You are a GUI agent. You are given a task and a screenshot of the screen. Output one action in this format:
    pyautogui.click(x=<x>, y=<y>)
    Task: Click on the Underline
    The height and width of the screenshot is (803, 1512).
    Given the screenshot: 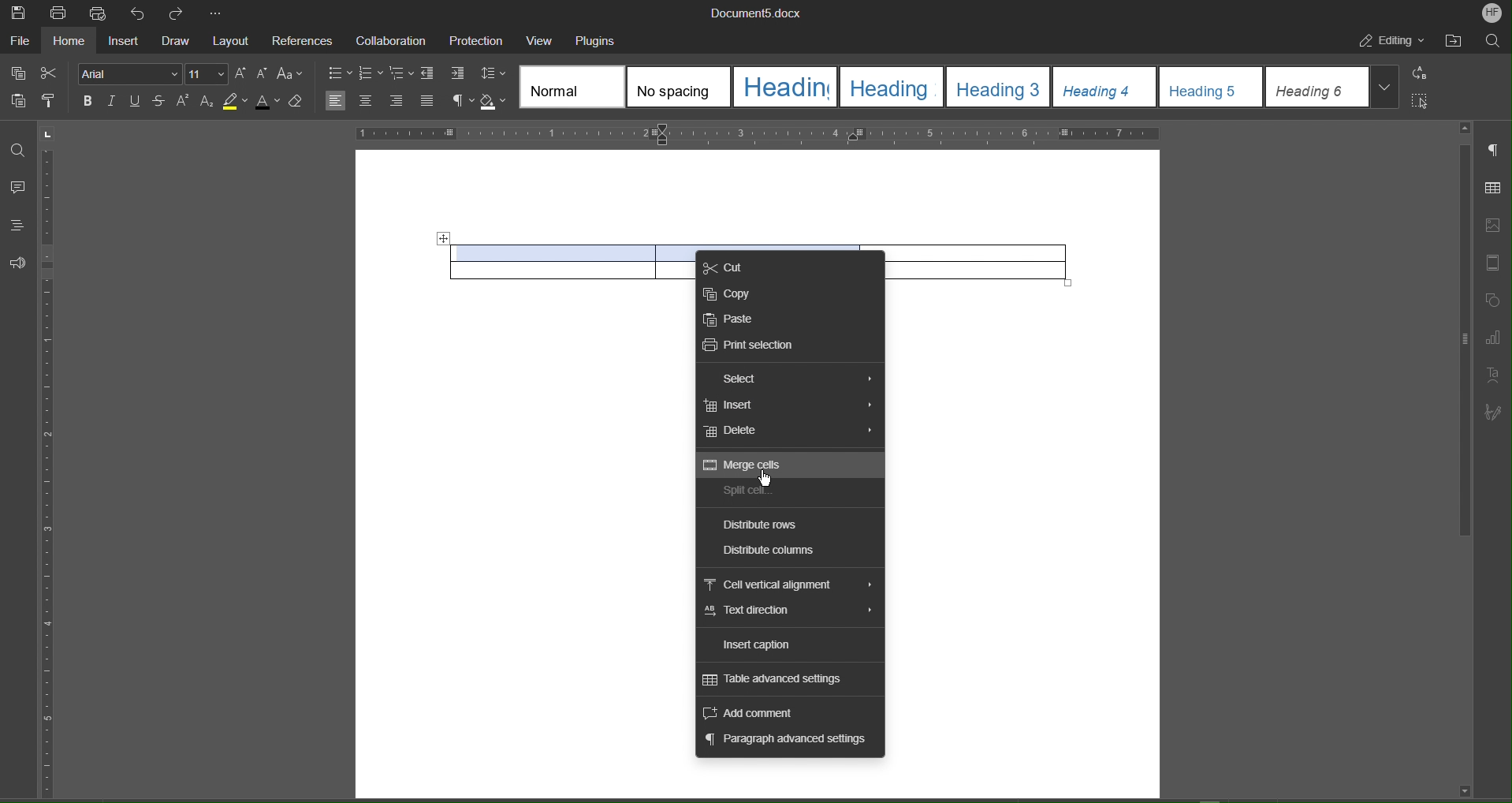 What is the action you would take?
    pyautogui.click(x=136, y=102)
    